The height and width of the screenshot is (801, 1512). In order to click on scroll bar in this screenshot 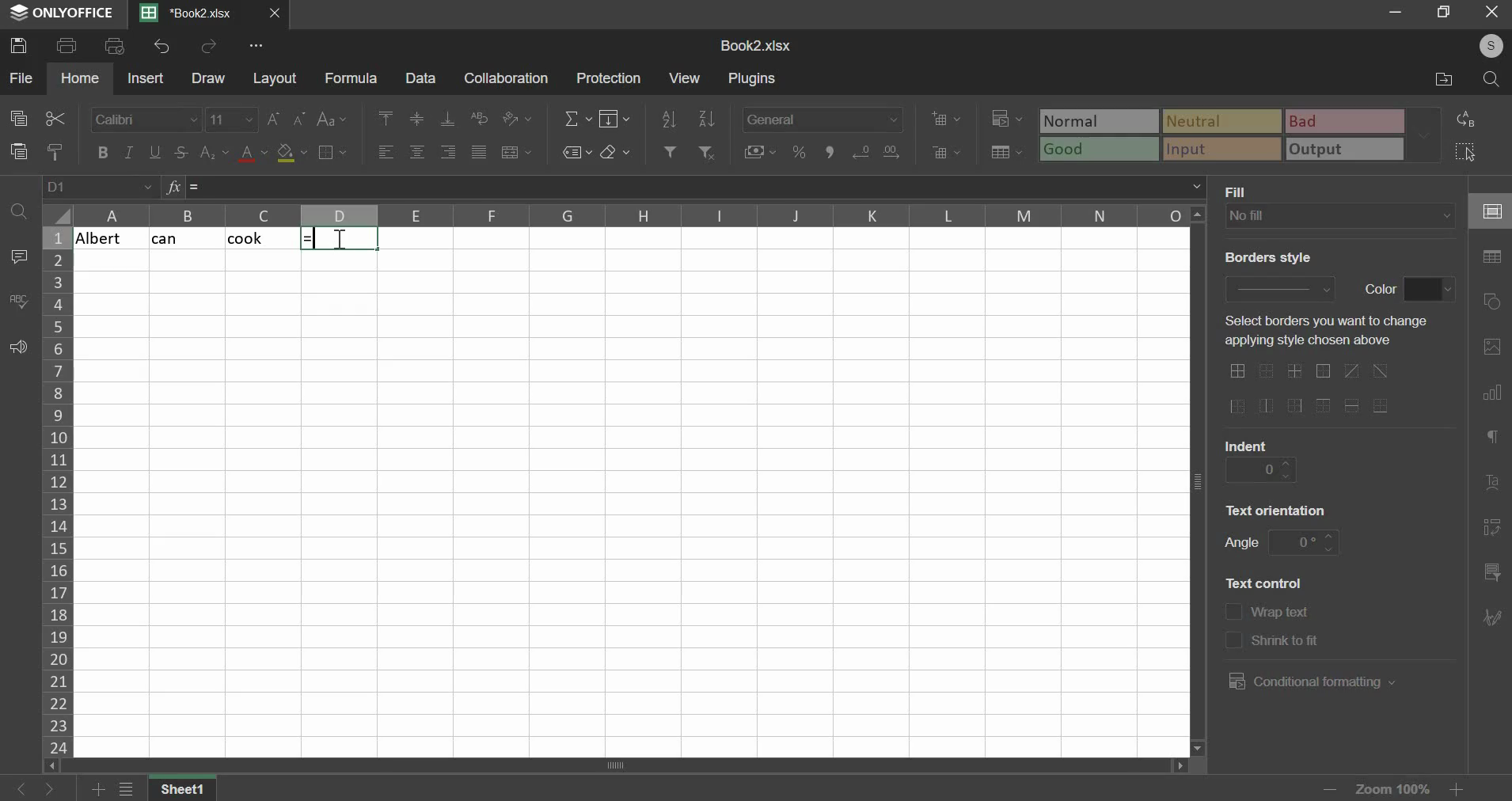, I will do `click(613, 766)`.